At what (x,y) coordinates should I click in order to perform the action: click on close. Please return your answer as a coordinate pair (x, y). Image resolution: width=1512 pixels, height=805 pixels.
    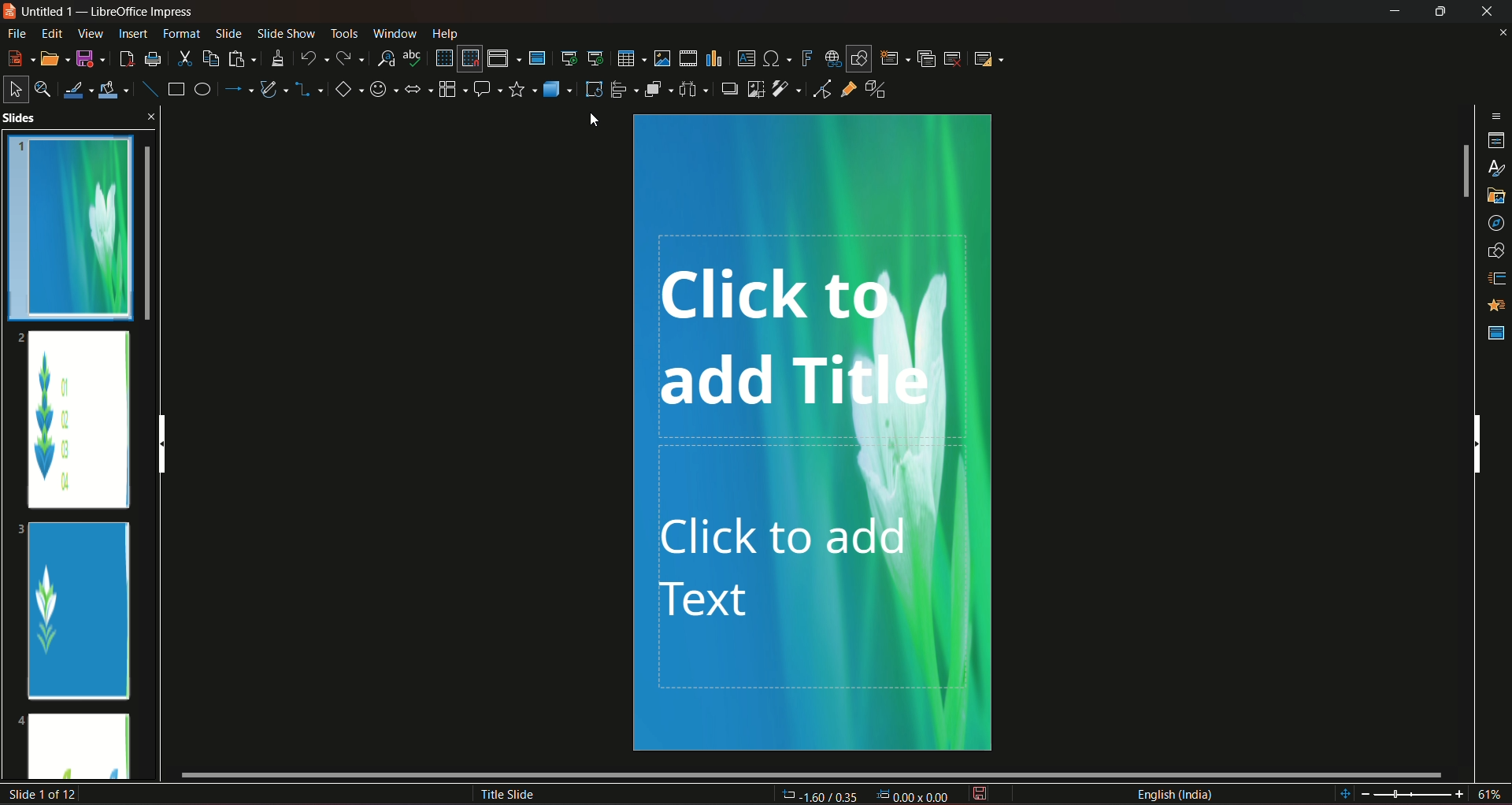
    Looking at the image, I should click on (1499, 33).